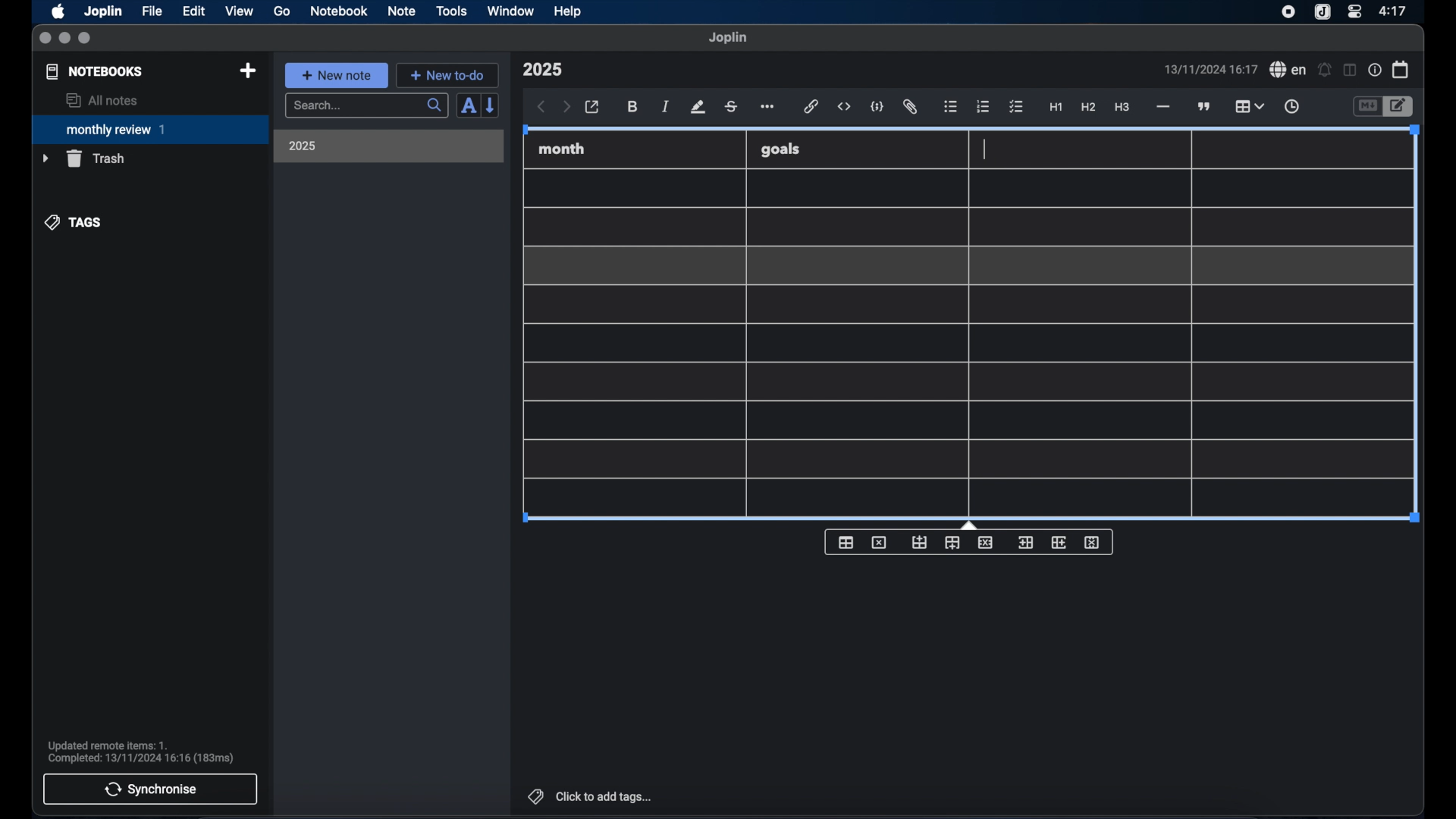 The width and height of the screenshot is (1456, 819). Describe the element at coordinates (336, 75) in the screenshot. I see `new note` at that location.